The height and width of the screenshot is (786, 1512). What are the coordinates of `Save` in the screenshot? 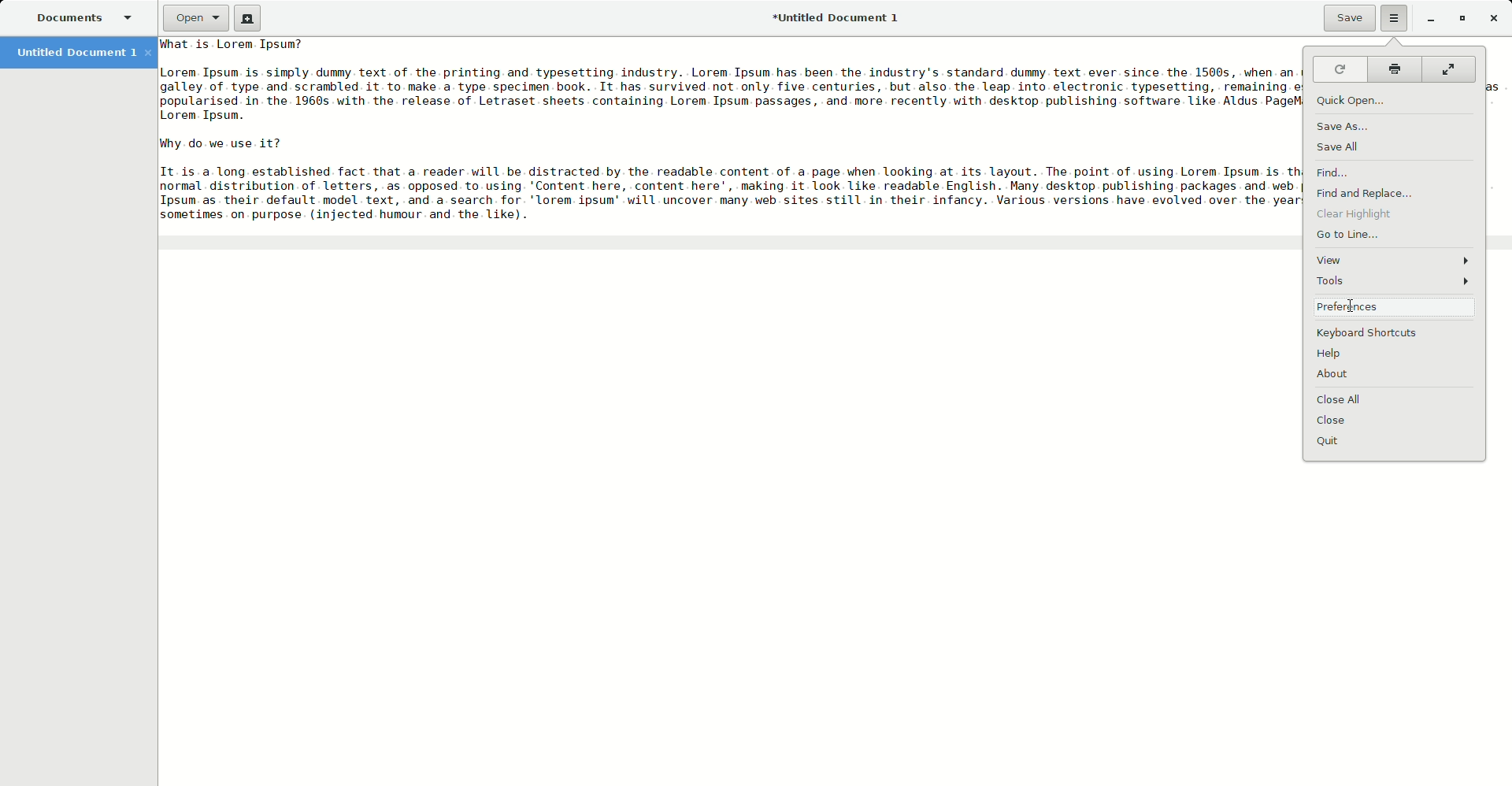 It's located at (1345, 18).